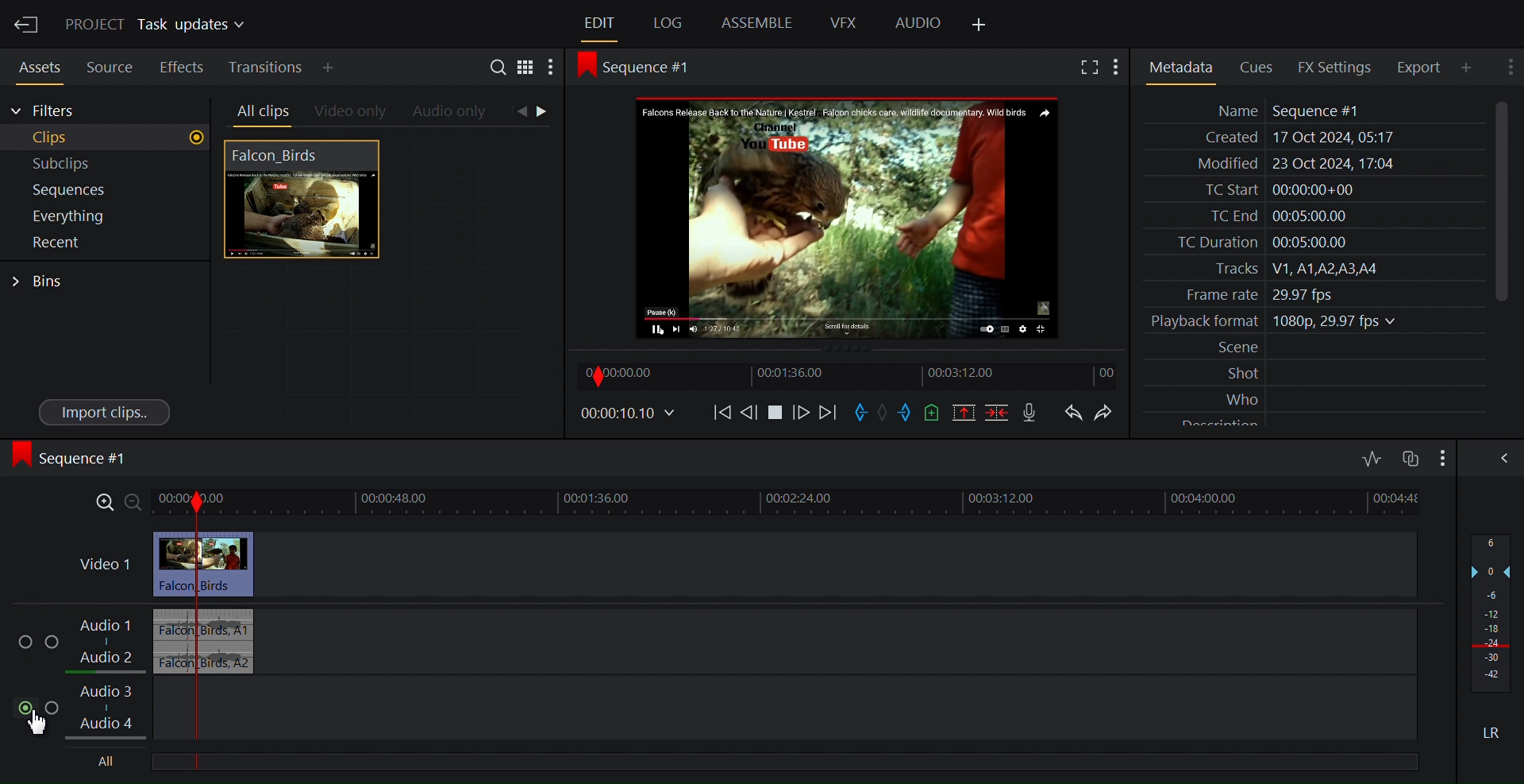 Image resolution: width=1524 pixels, height=784 pixels. I want to click on Playback format, so click(1312, 321).